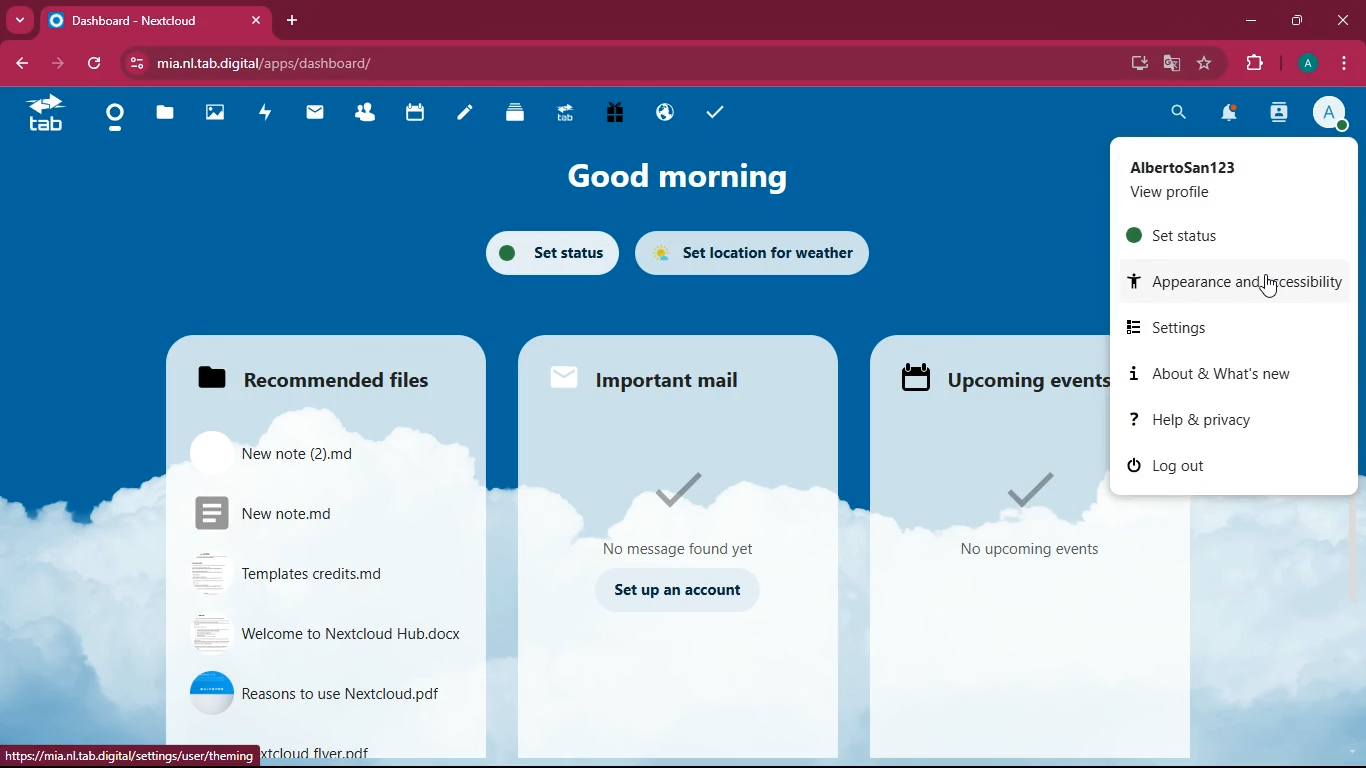  I want to click on extension, so click(1259, 63).